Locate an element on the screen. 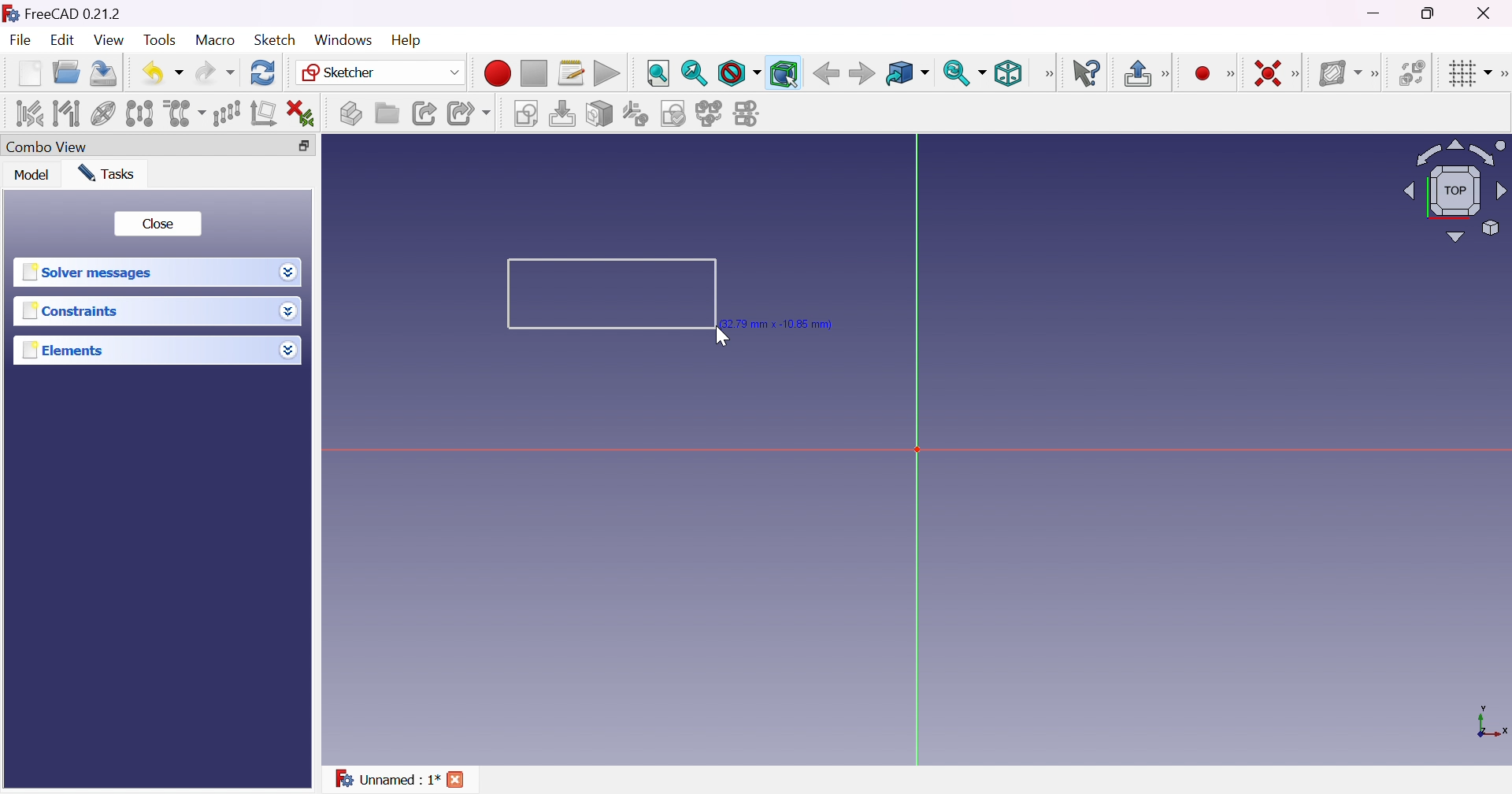  Make link is located at coordinates (427, 114).